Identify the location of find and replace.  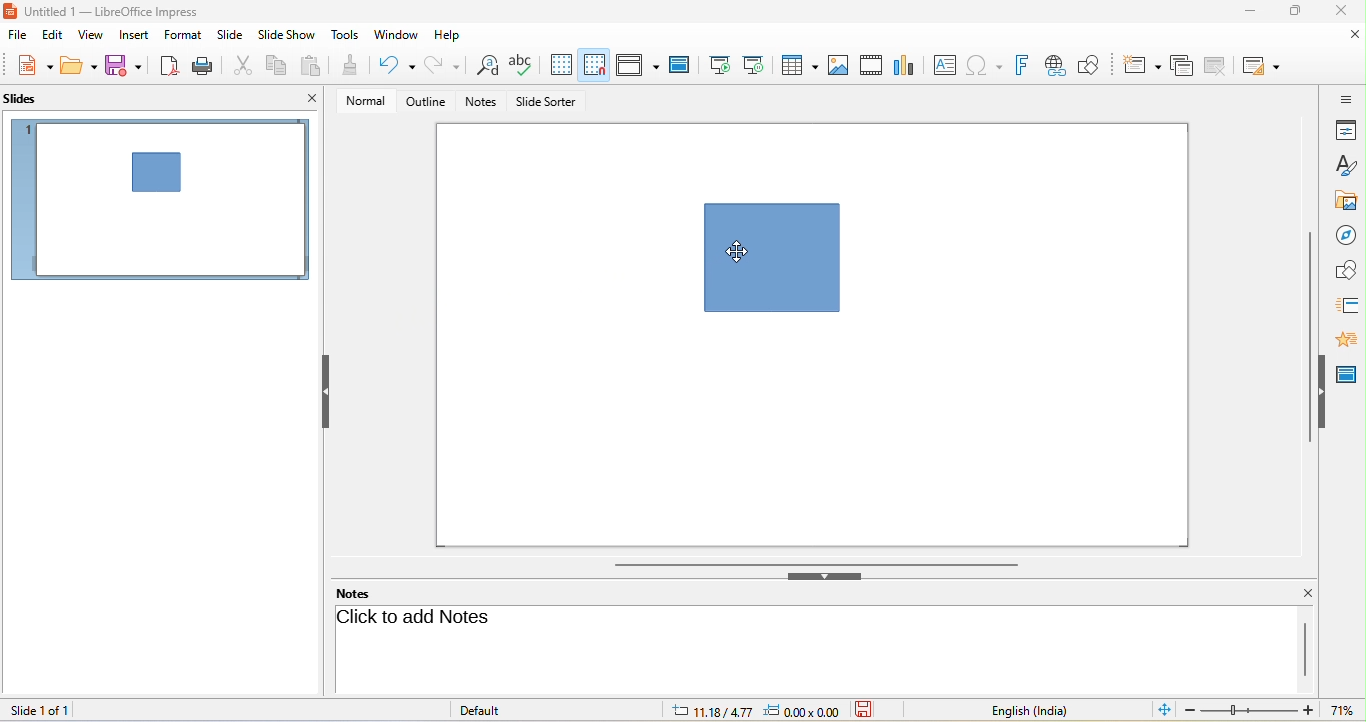
(485, 68).